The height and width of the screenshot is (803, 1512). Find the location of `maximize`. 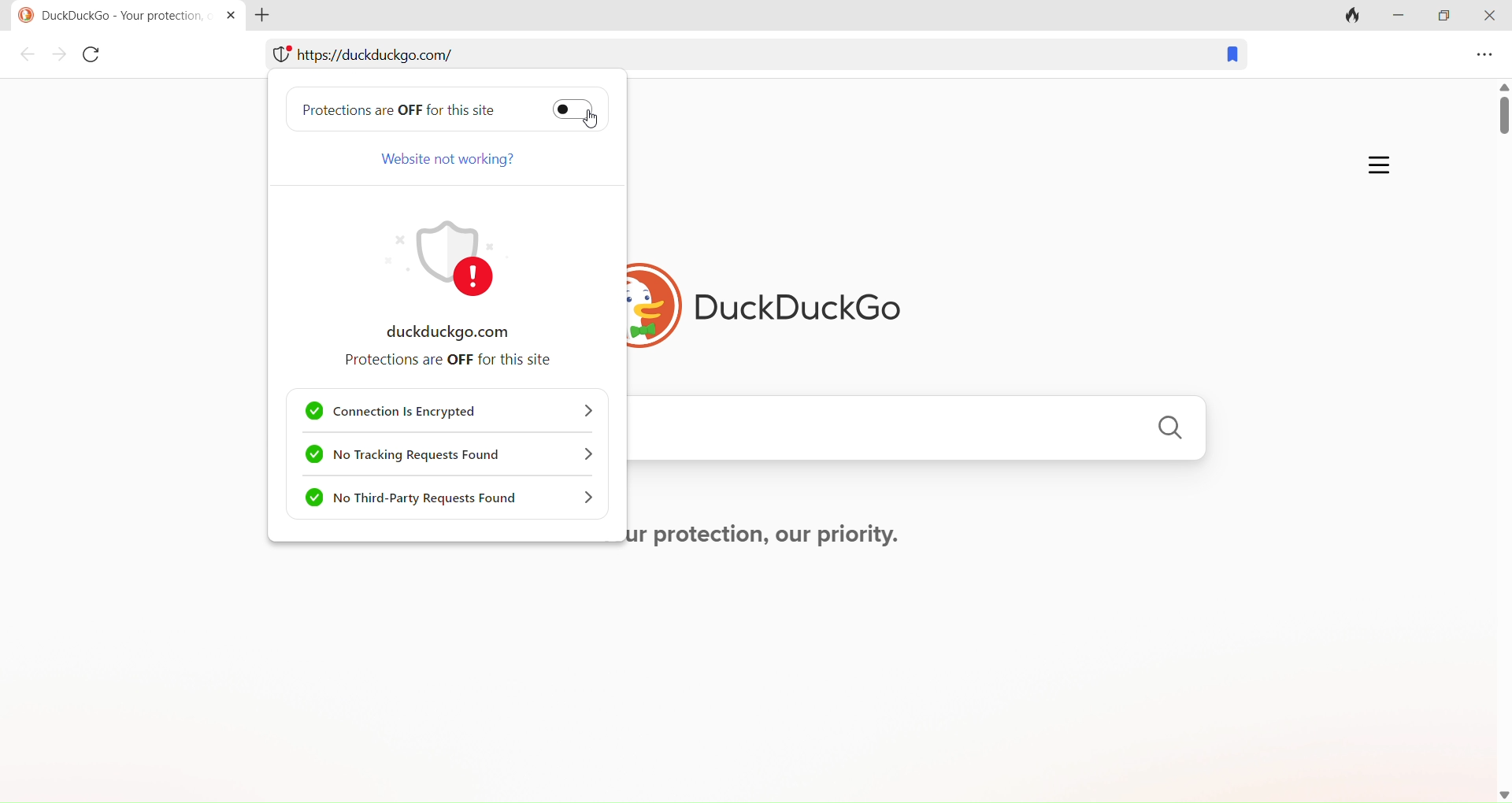

maximize is located at coordinates (1444, 19).